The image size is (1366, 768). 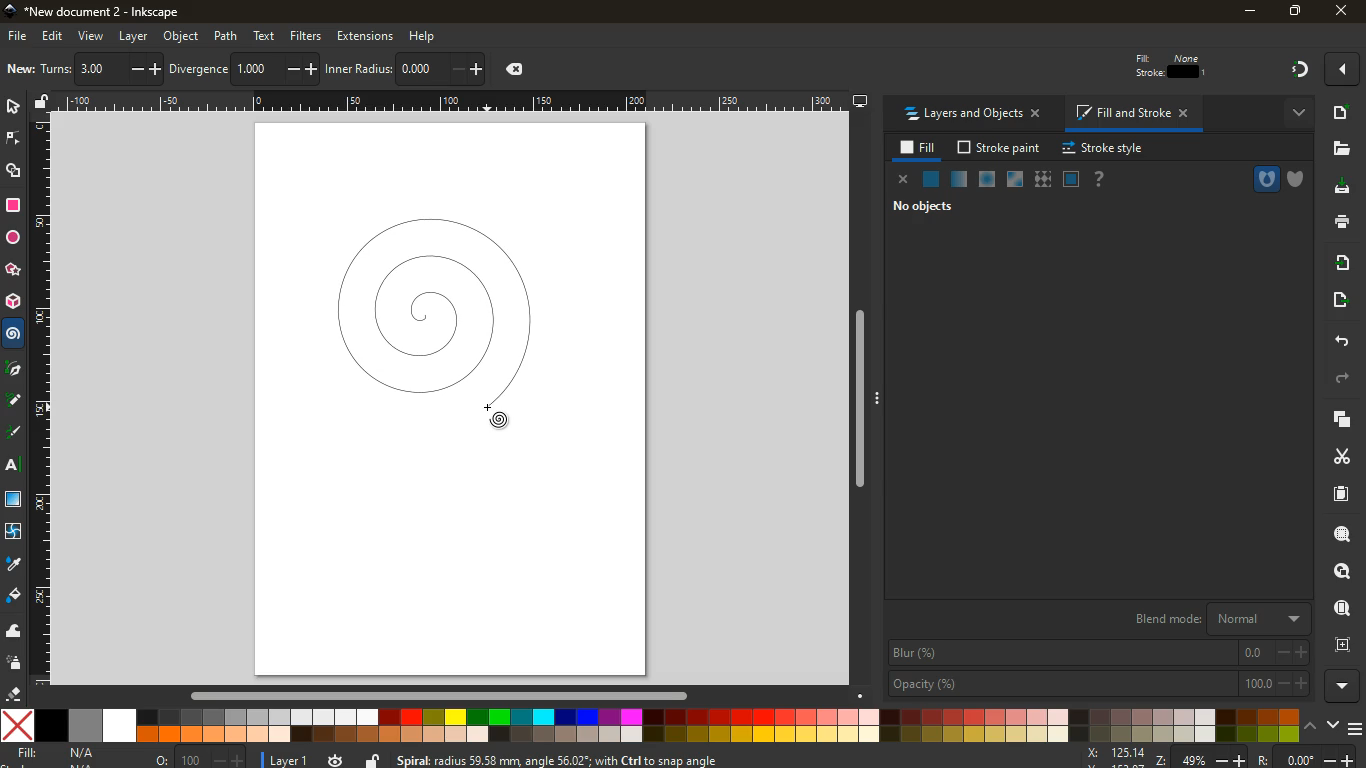 I want to click on find, so click(x=1339, y=608).